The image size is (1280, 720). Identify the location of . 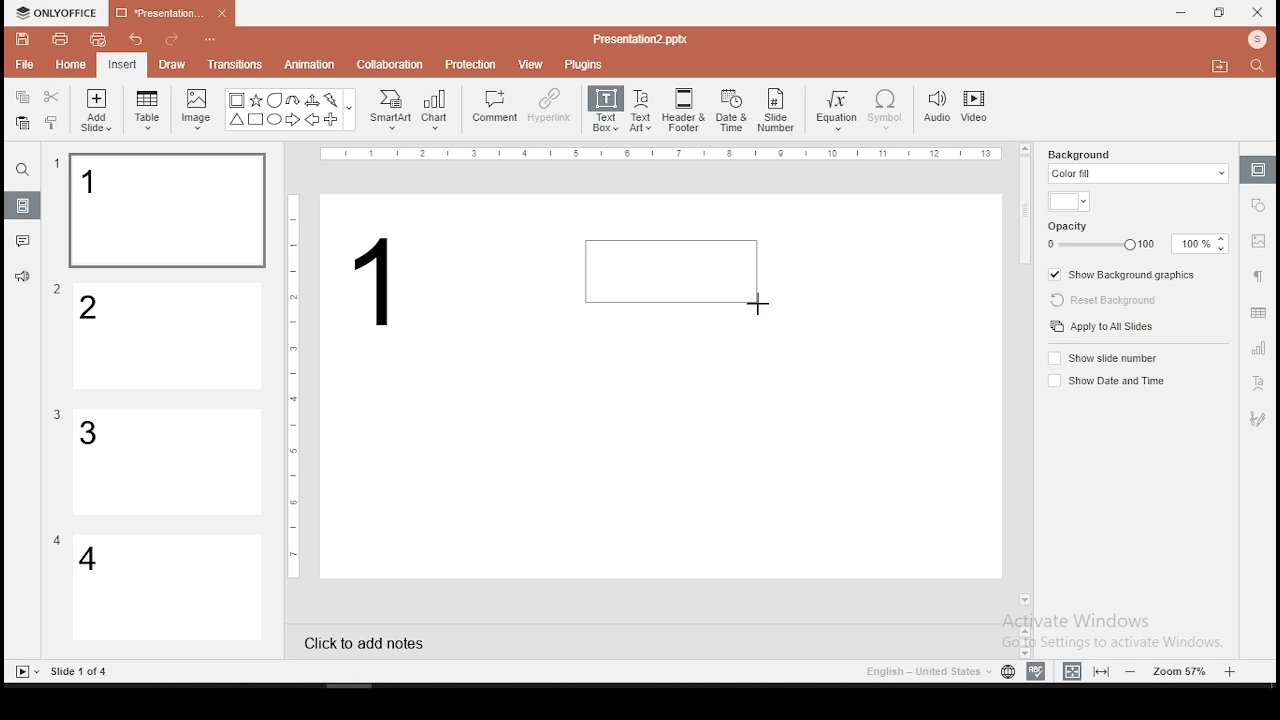
(665, 155).